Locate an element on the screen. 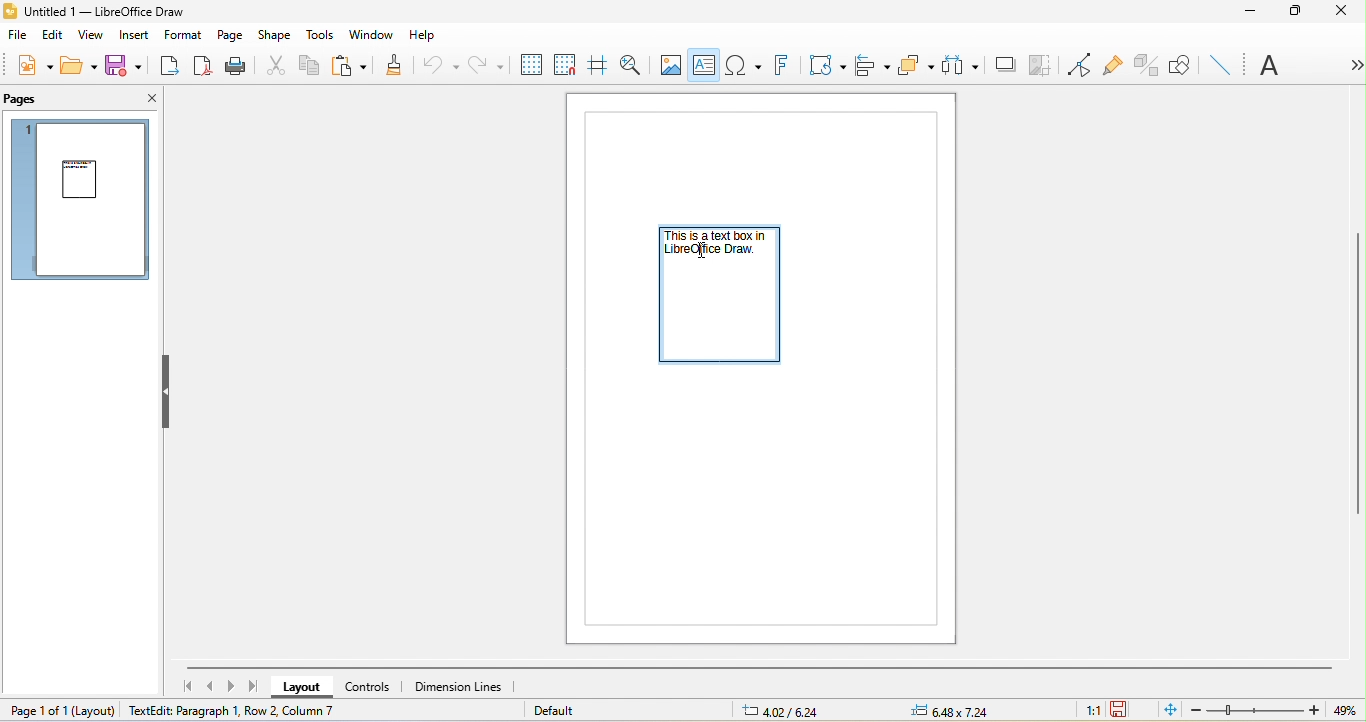 Image resolution: width=1366 pixels, height=722 pixels. show draw function is located at coordinates (1179, 63).